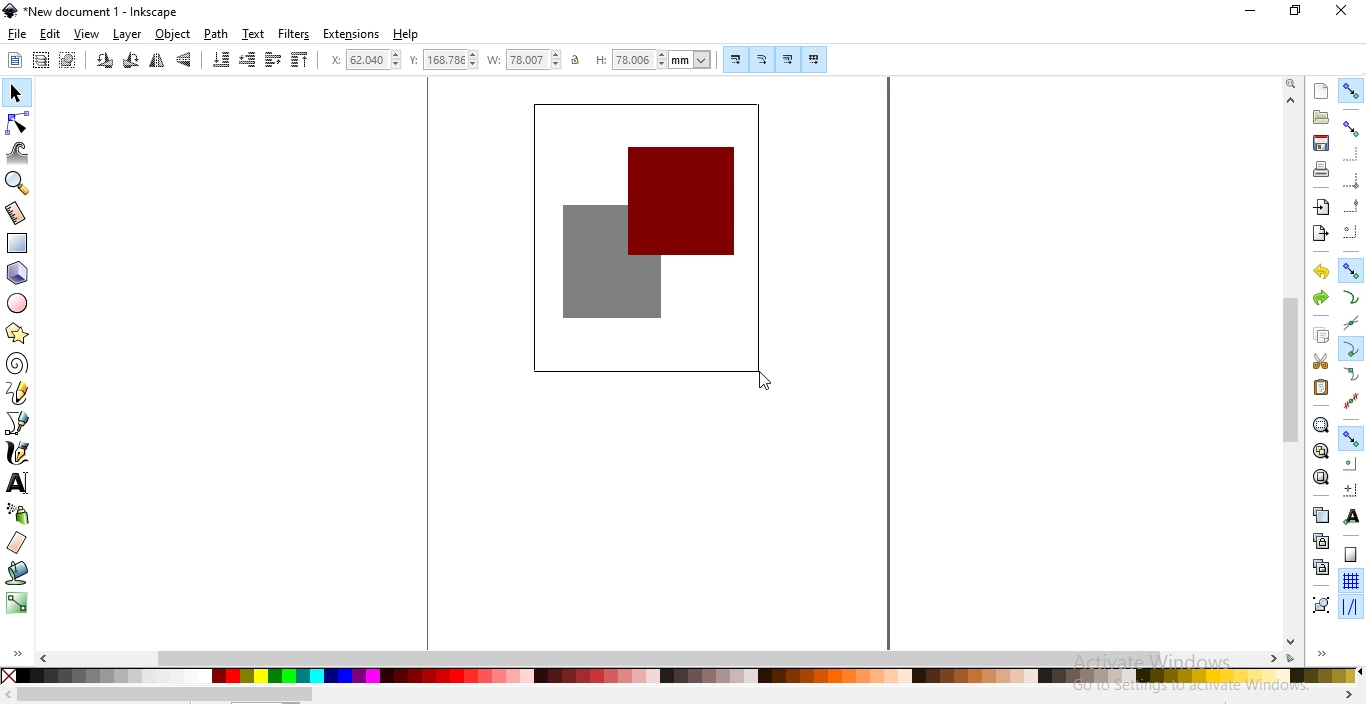 This screenshot has height=704, width=1366. Describe the element at coordinates (165, 695) in the screenshot. I see `scrollbar` at that location.